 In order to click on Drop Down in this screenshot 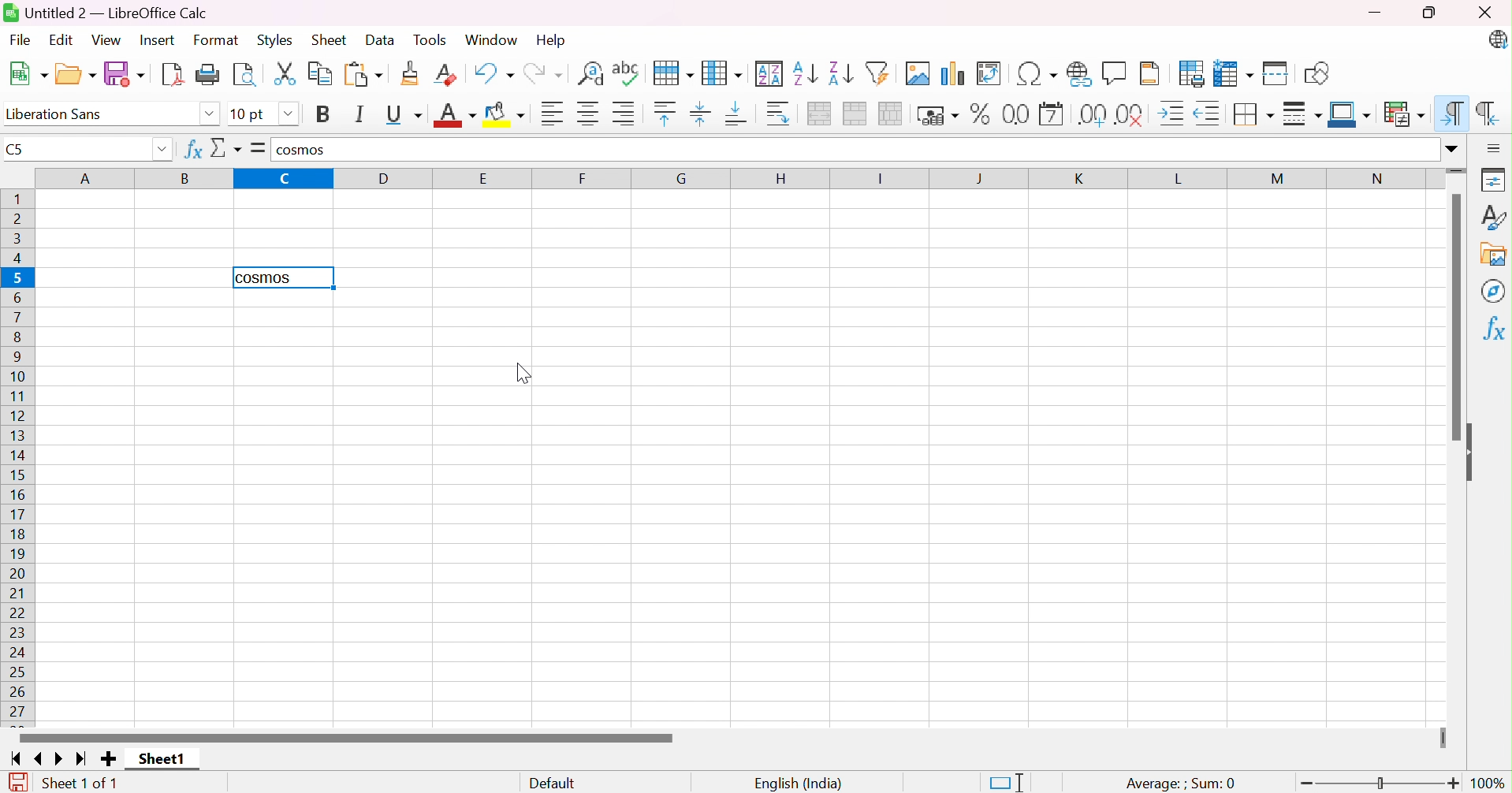, I will do `click(160, 151)`.